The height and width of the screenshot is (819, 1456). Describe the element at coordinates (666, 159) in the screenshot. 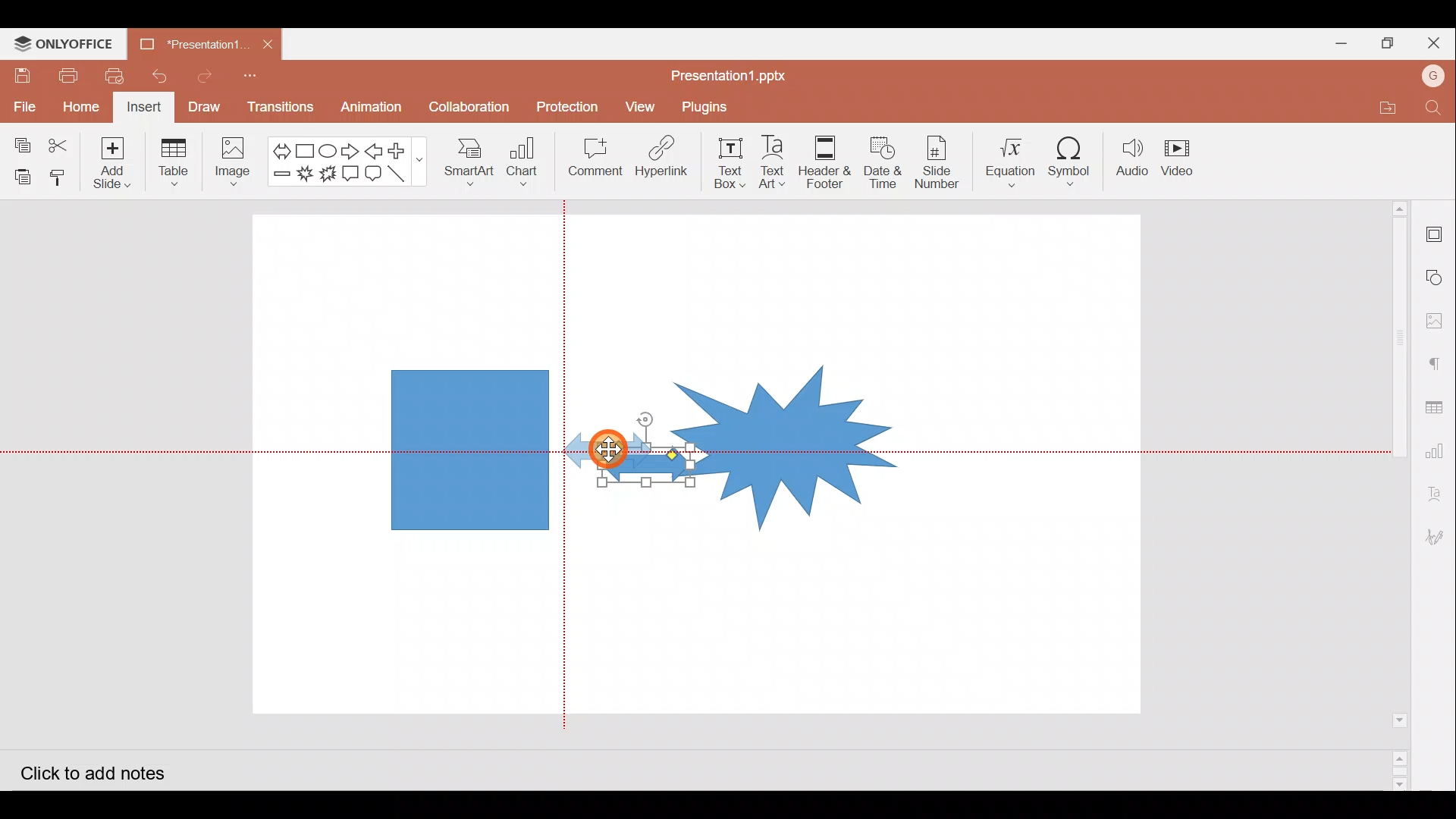

I see `Hyperlink` at that location.